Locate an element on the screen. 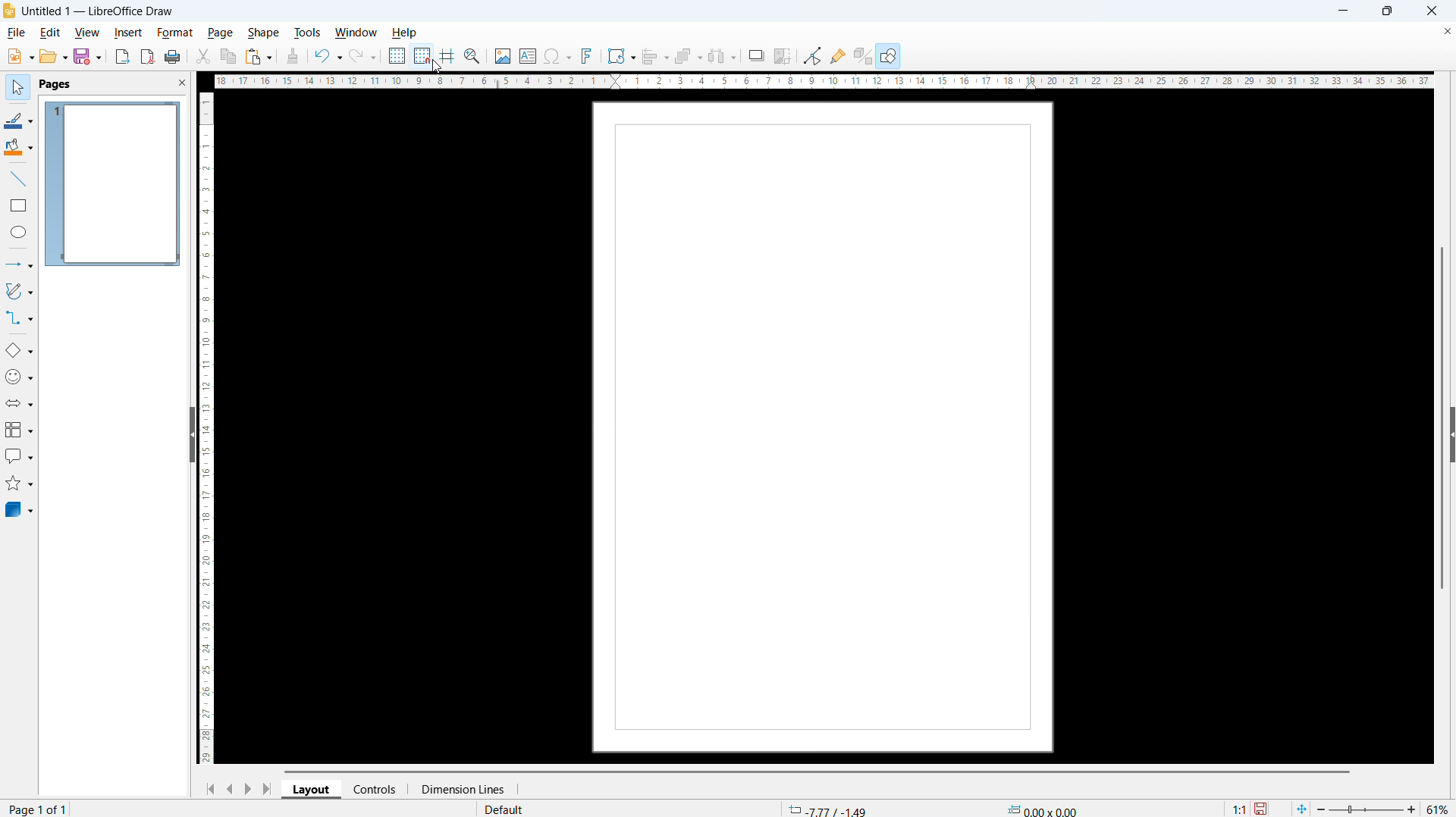 This screenshot has width=1456, height=817. Edit  is located at coordinates (51, 33).